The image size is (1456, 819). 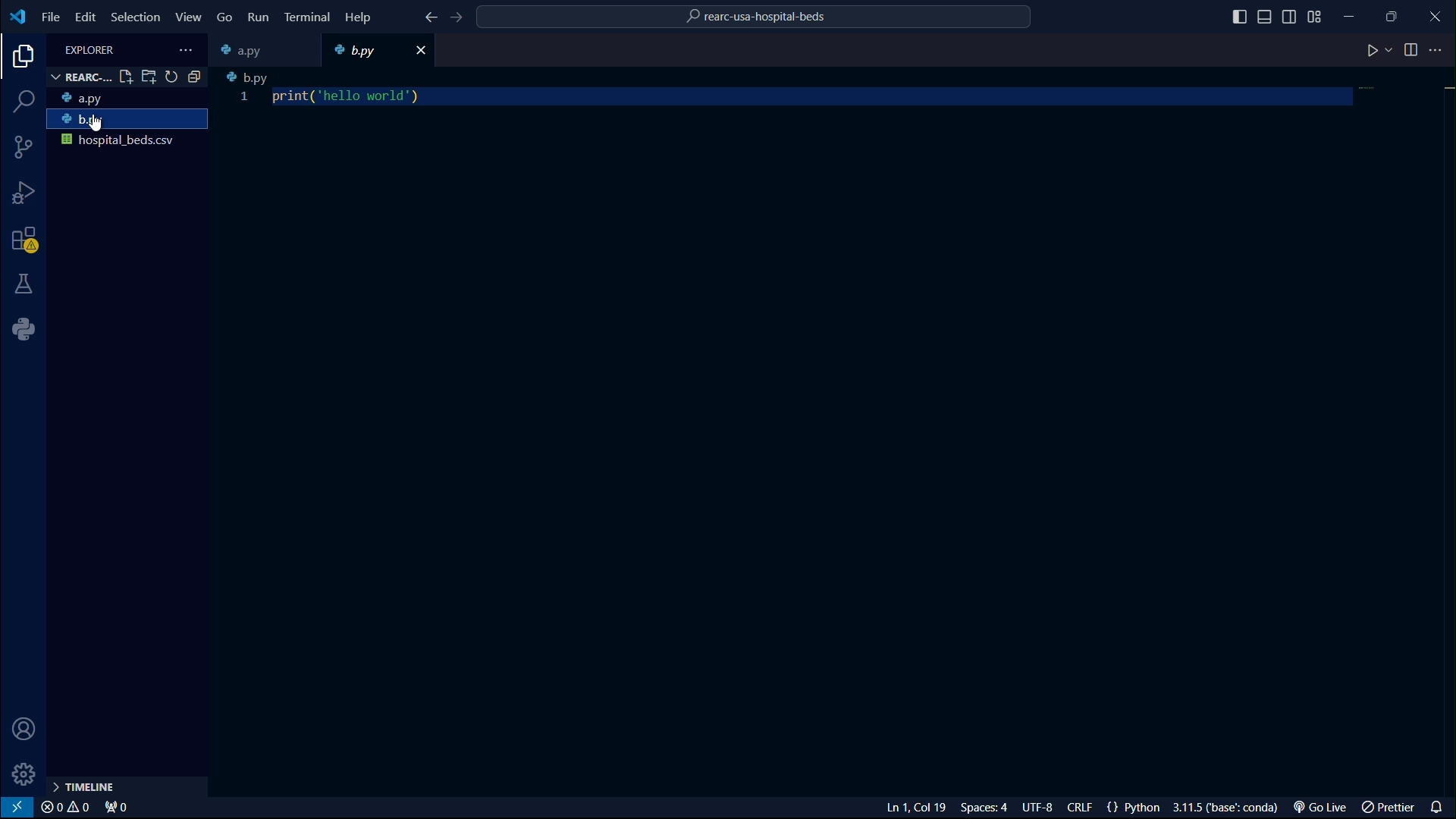 What do you see at coordinates (267, 50) in the screenshot?
I see `a.py` at bounding box center [267, 50].